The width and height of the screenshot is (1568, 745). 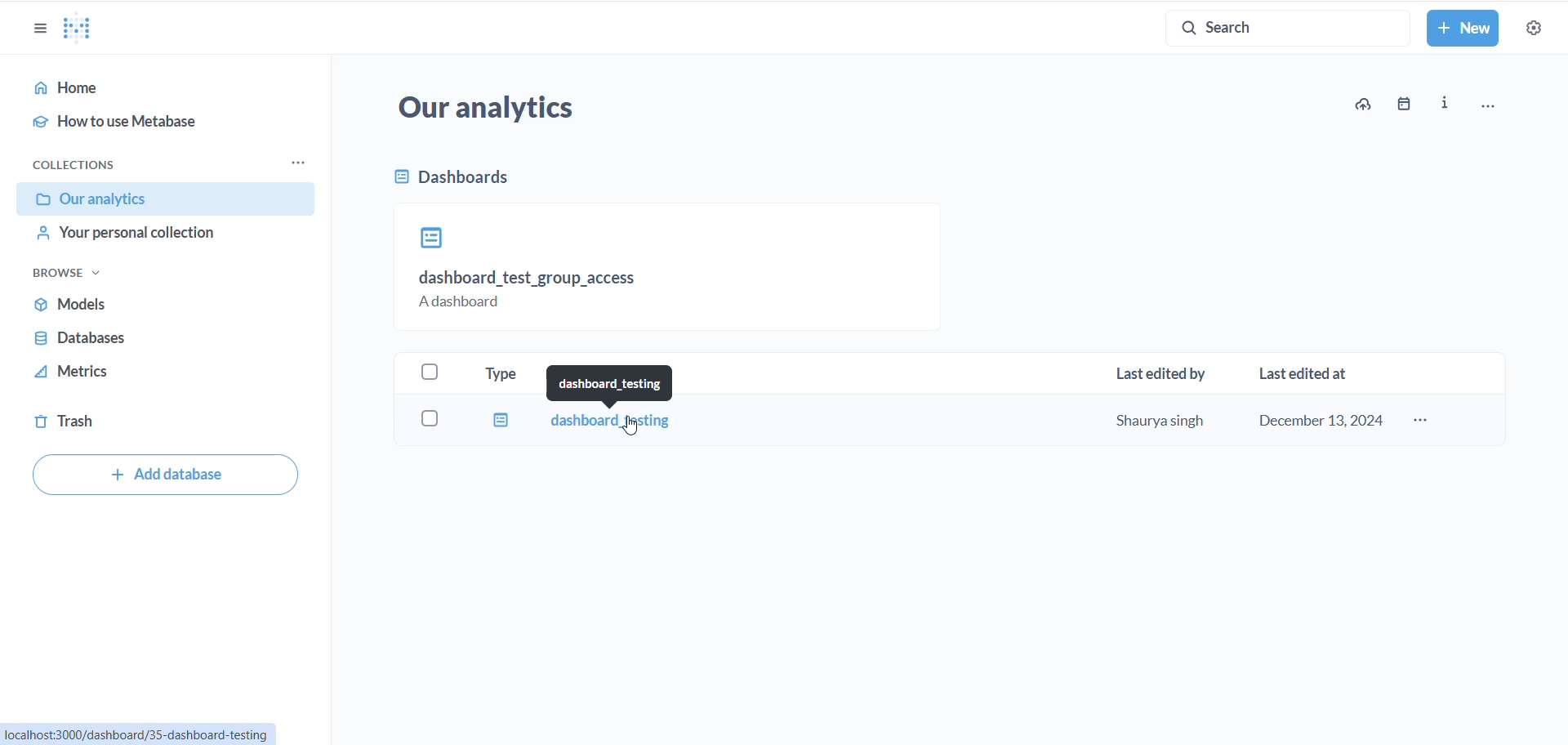 What do you see at coordinates (100, 166) in the screenshot?
I see `collections label` at bounding box center [100, 166].